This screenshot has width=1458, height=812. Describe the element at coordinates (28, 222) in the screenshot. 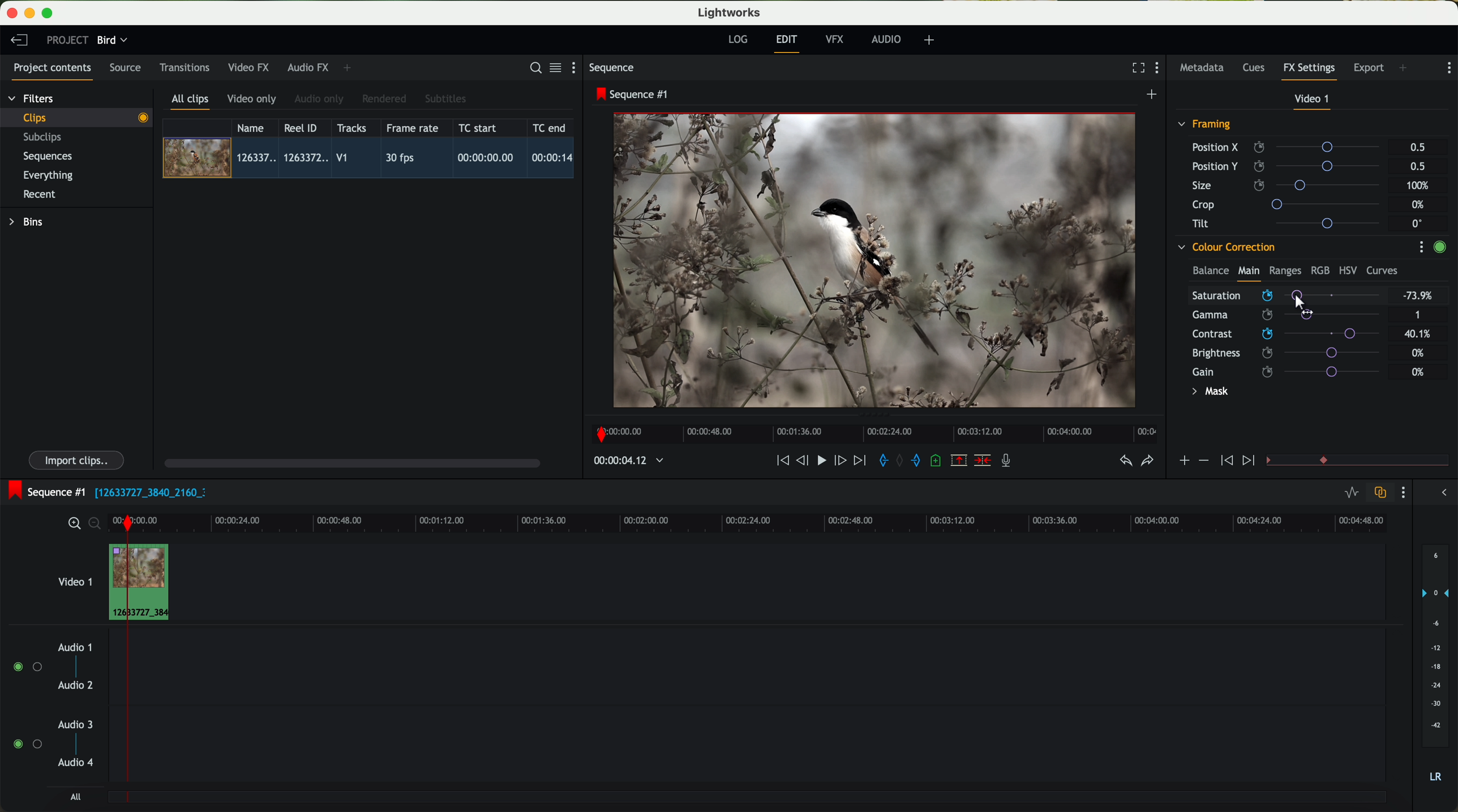

I see `bins` at that location.